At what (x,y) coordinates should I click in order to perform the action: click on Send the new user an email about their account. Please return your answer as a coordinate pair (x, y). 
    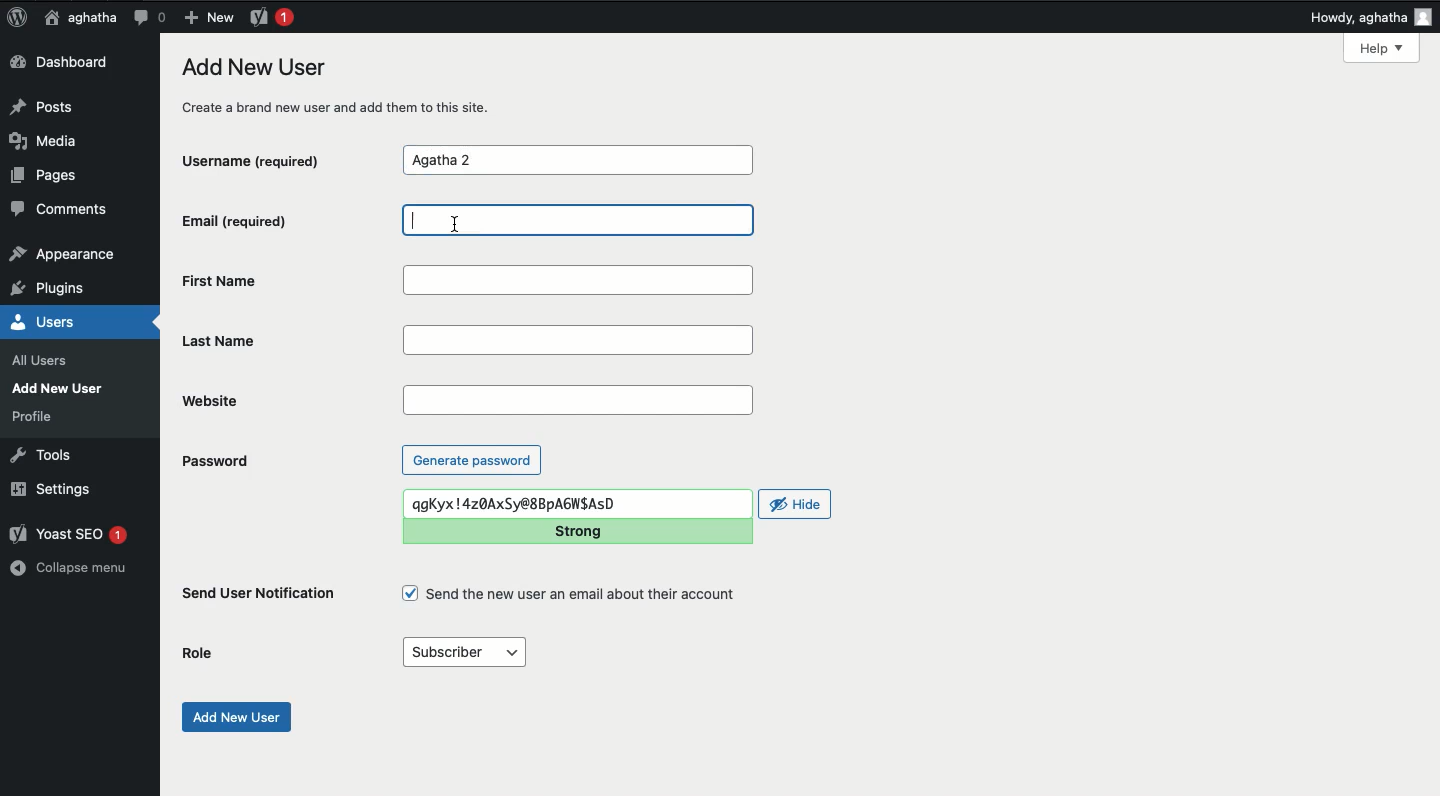
    Looking at the image, I should click on (572, 594).